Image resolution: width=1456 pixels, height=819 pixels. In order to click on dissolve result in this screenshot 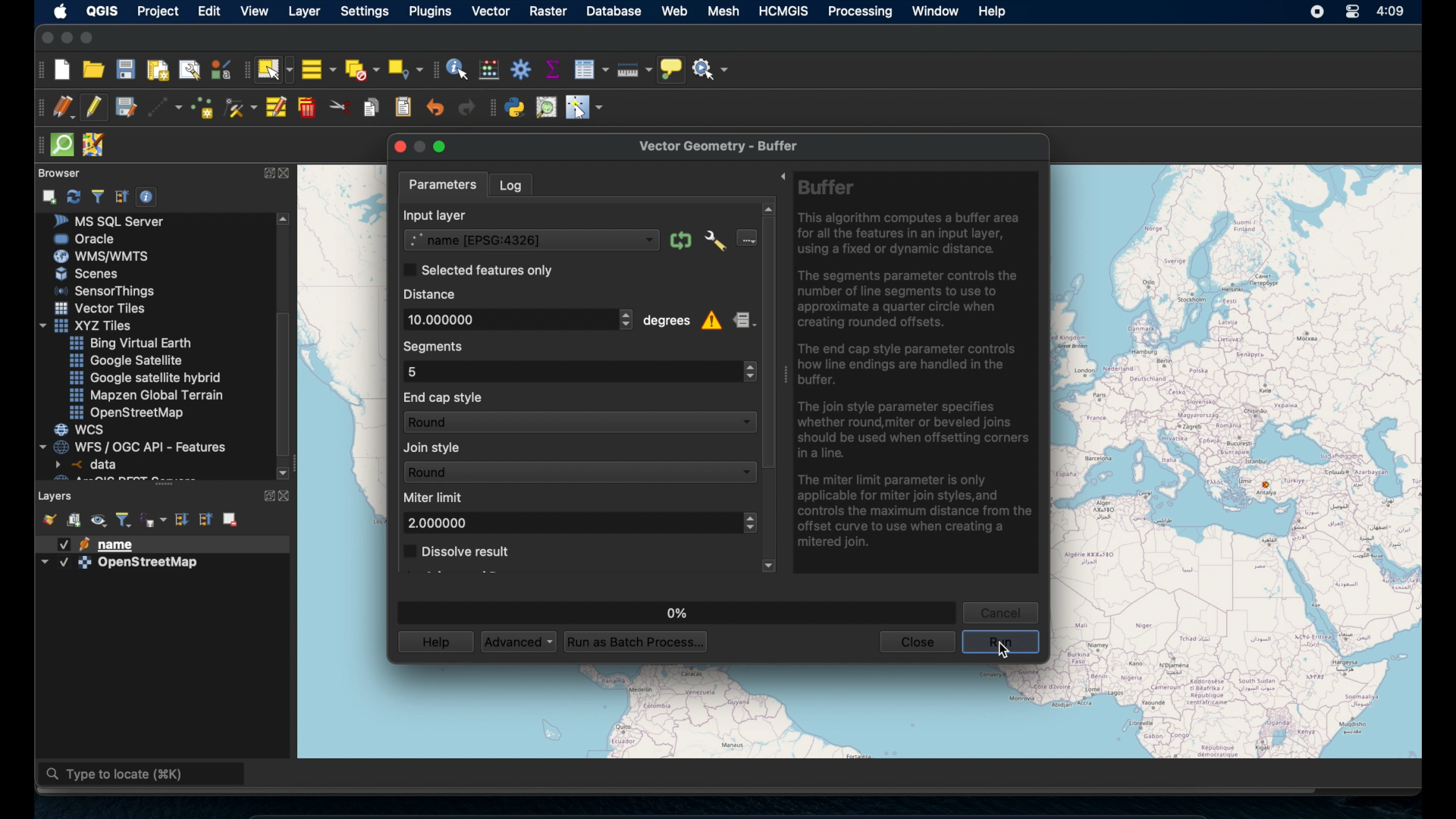, I will do `click(457, 552)`.